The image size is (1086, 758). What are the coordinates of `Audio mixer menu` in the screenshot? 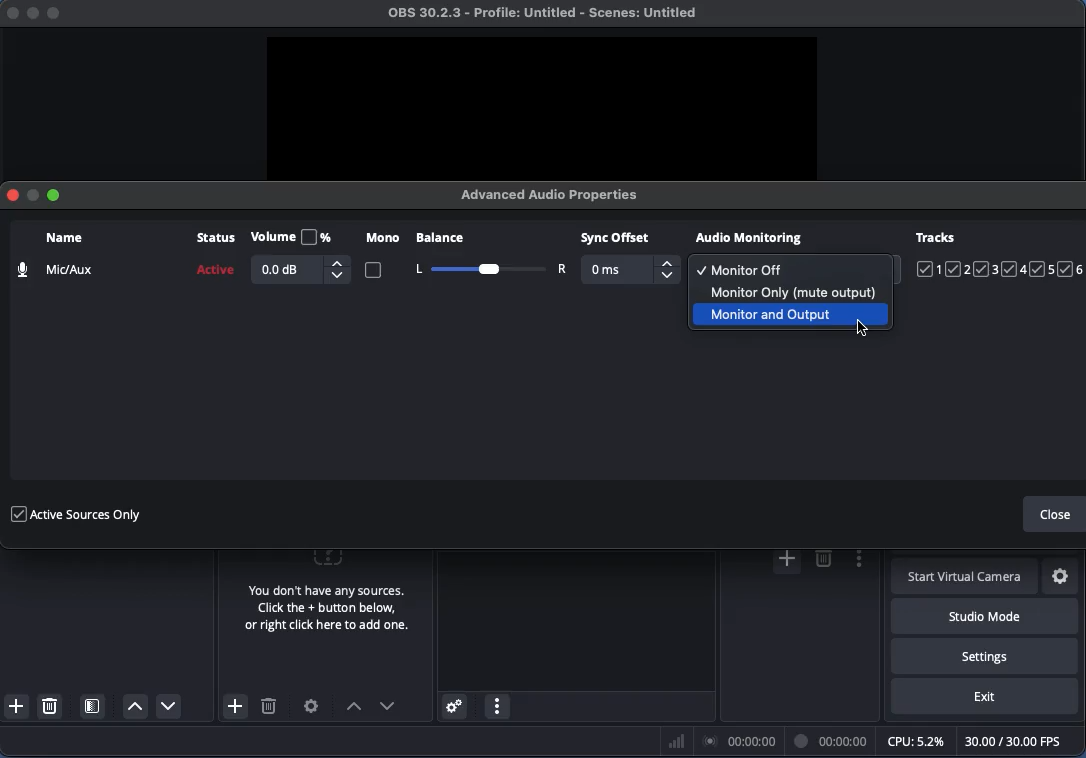 It's located at (497, 707).